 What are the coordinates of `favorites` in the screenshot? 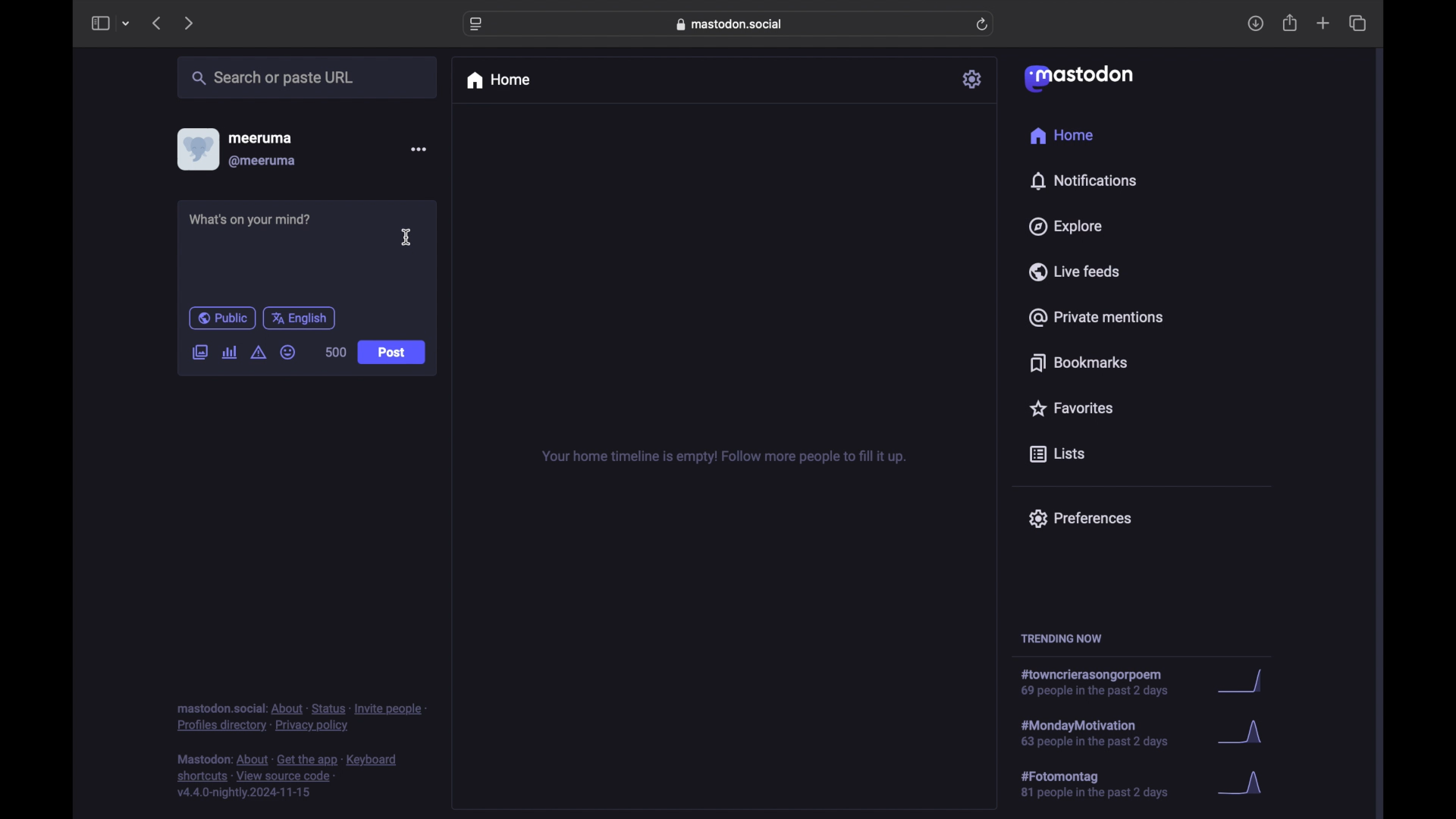 It's located at (1070, 408).